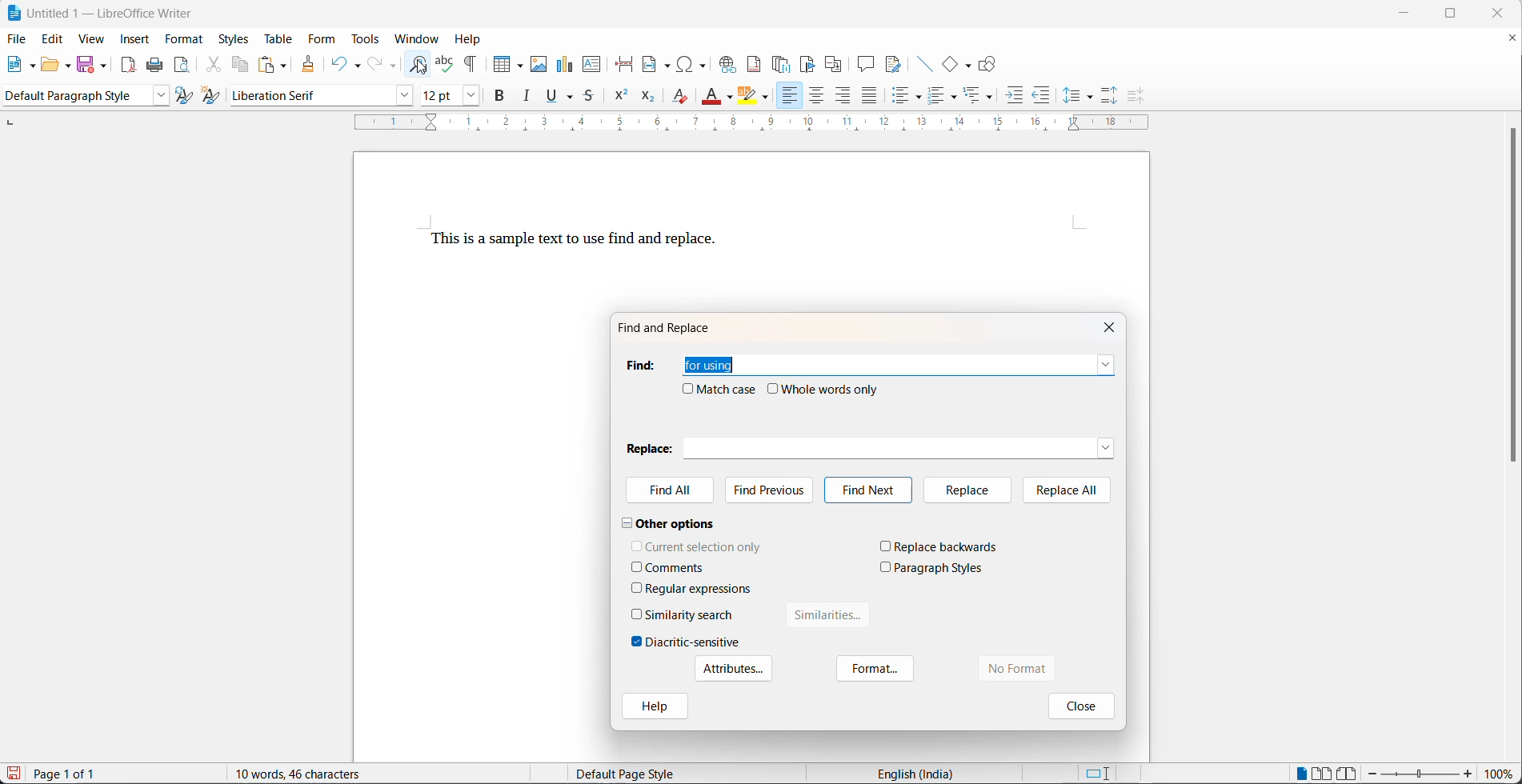 The height and width of the screenshot is (784, 1522). Describe the element at coordinates (70, 774) in the screenshot. I see `Page 1 of 1` at that location.